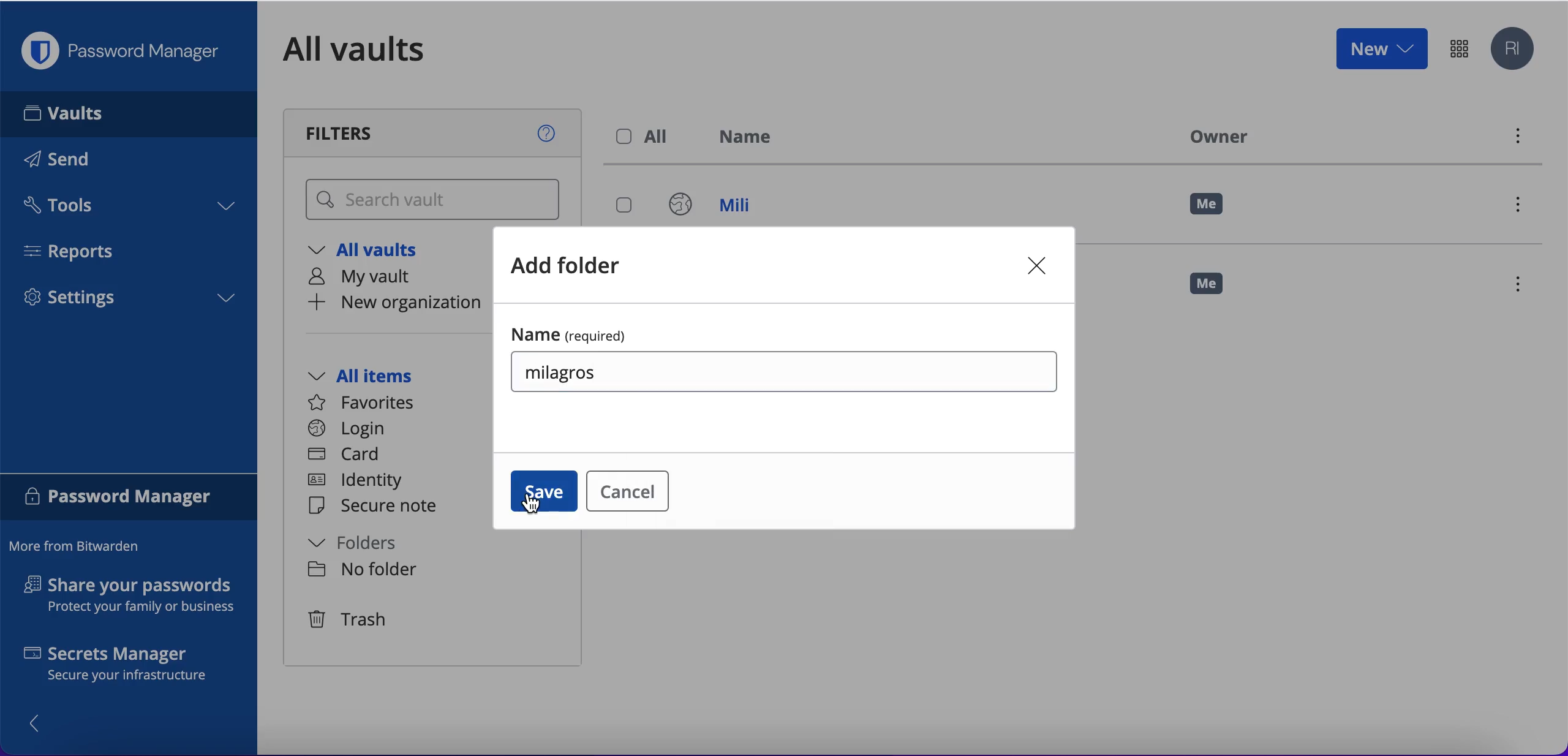 The width and height of the screenshot is (1568, 756). I want to click on password manager, so click(126, 51).